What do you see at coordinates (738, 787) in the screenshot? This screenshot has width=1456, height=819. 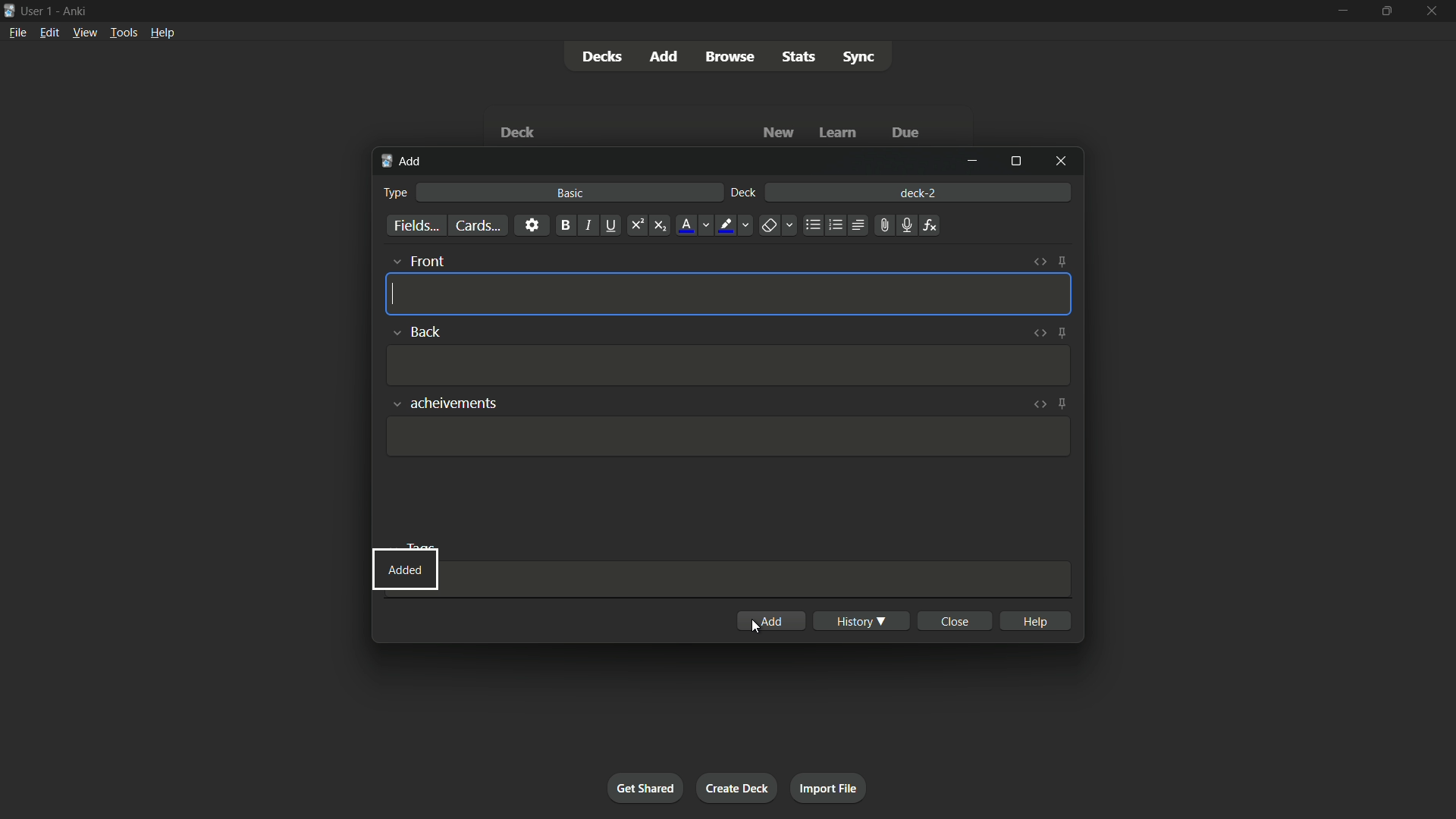 I see `create deck` at bounding box center [738, 787].